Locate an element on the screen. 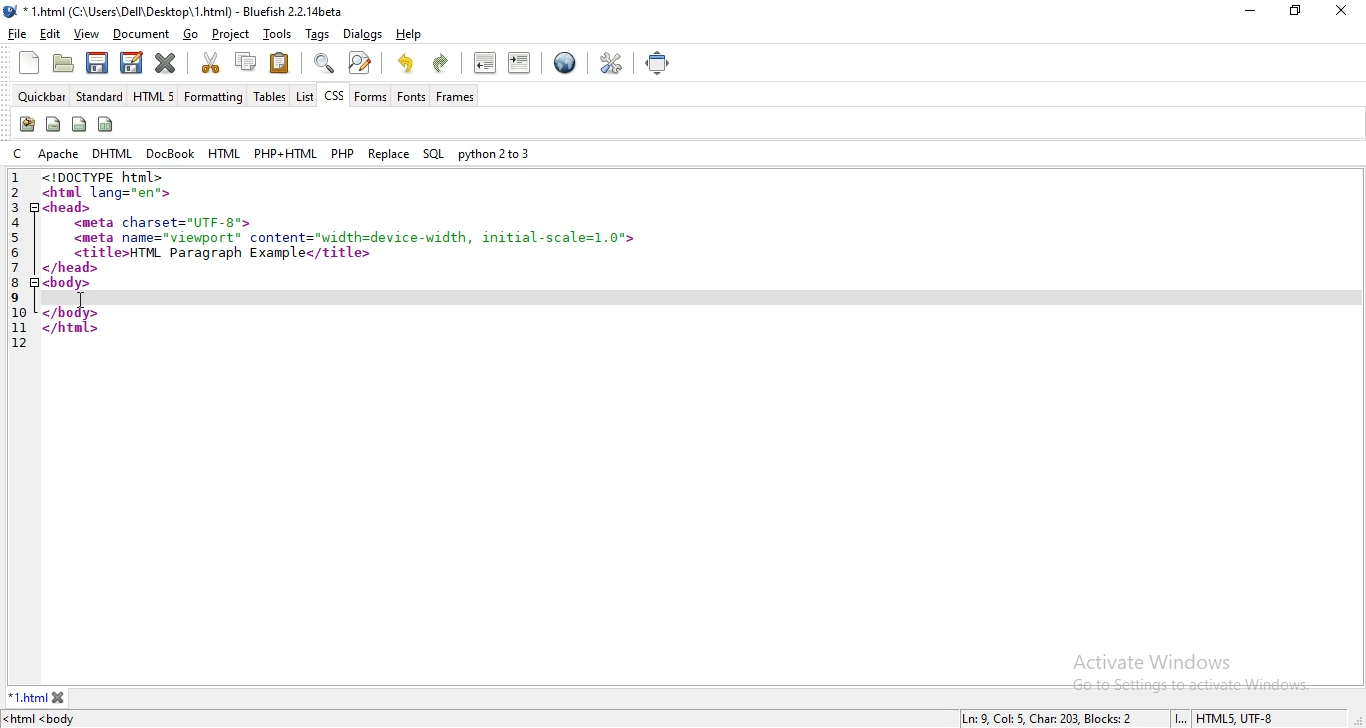  help is located at coordinates (408, 34).